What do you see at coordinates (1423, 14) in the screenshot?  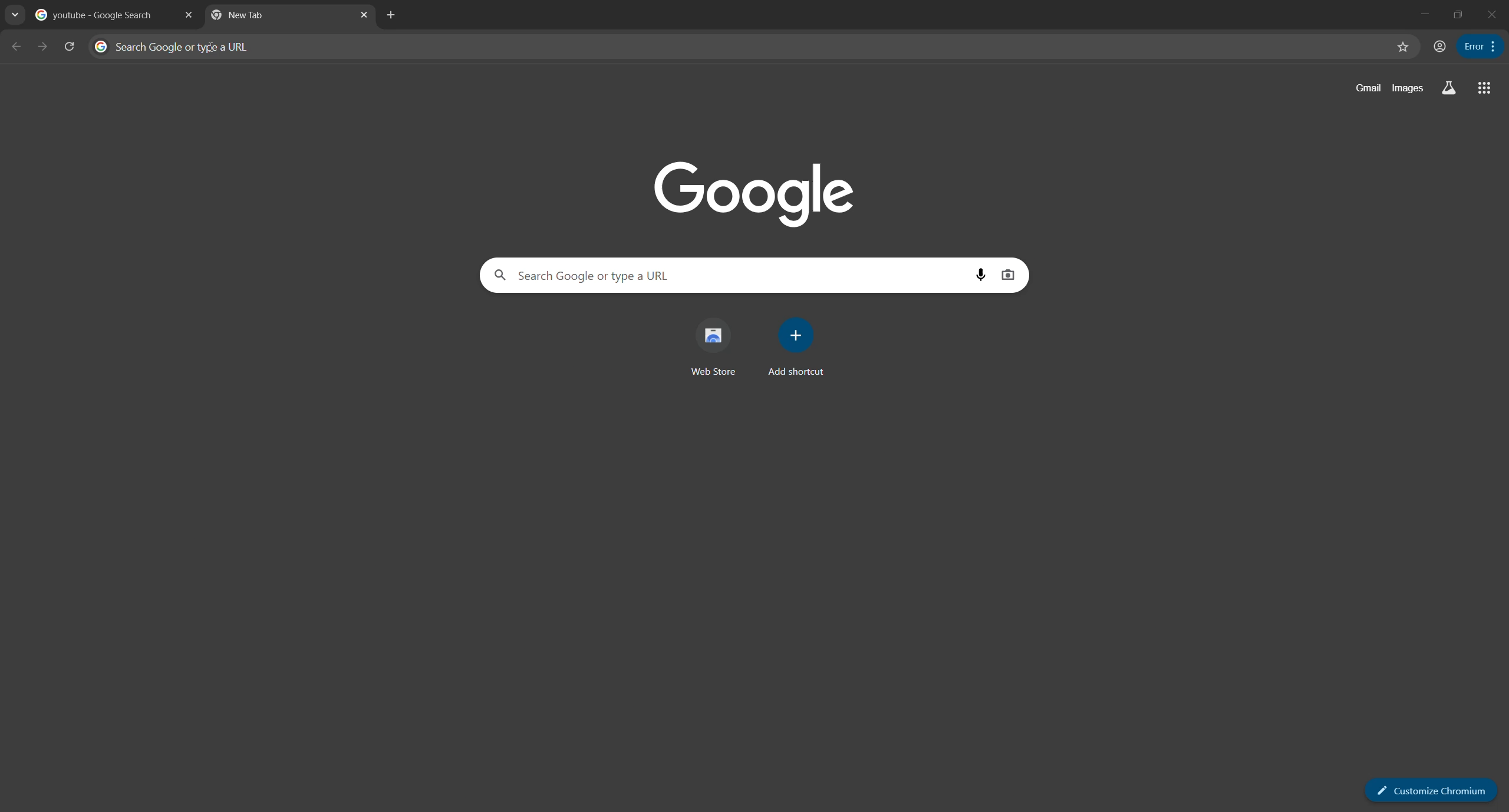 I see `minimize` at bounding box center [1423, 14].